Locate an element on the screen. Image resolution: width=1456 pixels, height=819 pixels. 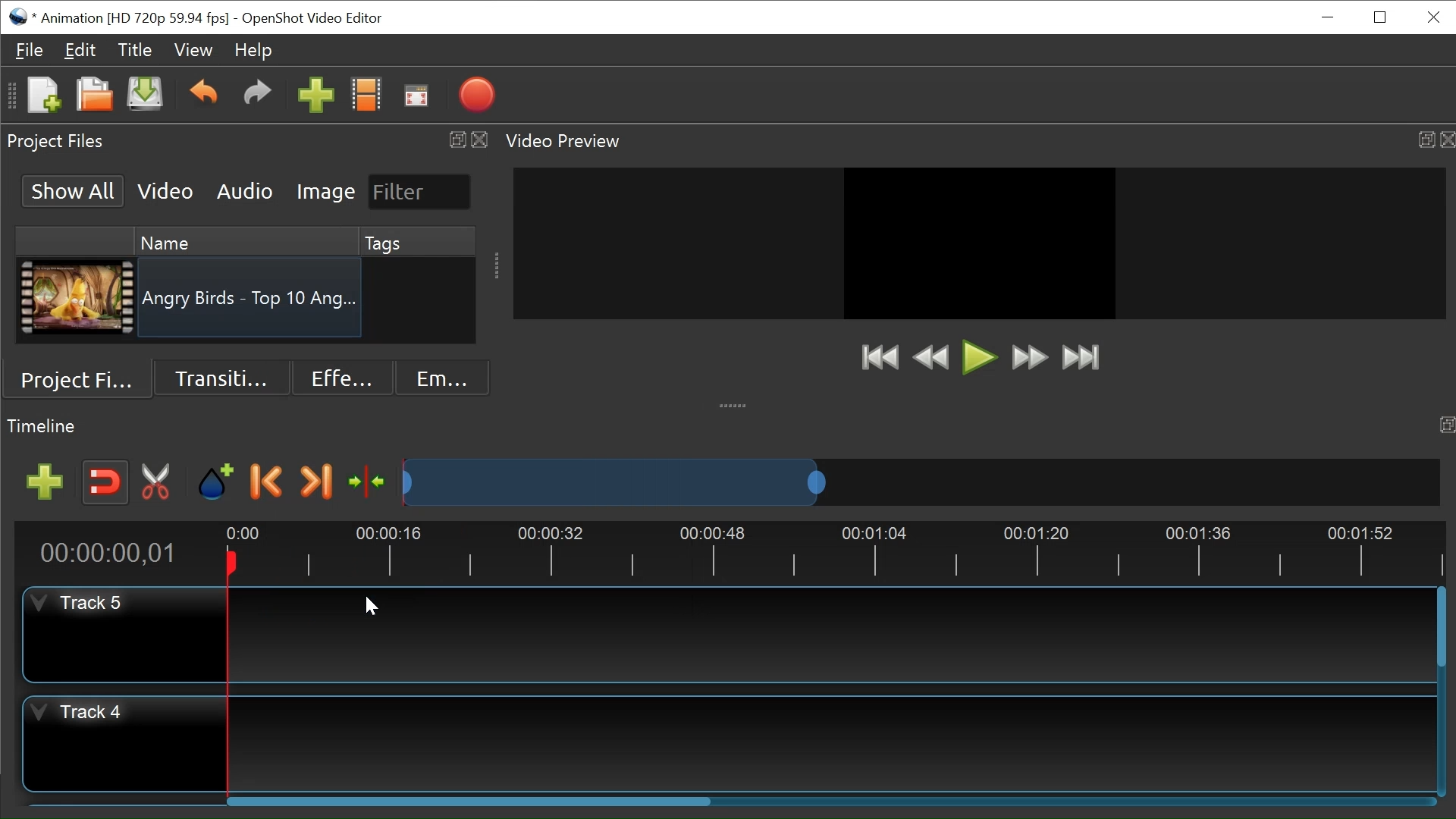
Current Position is located at coordinates (115, 553).